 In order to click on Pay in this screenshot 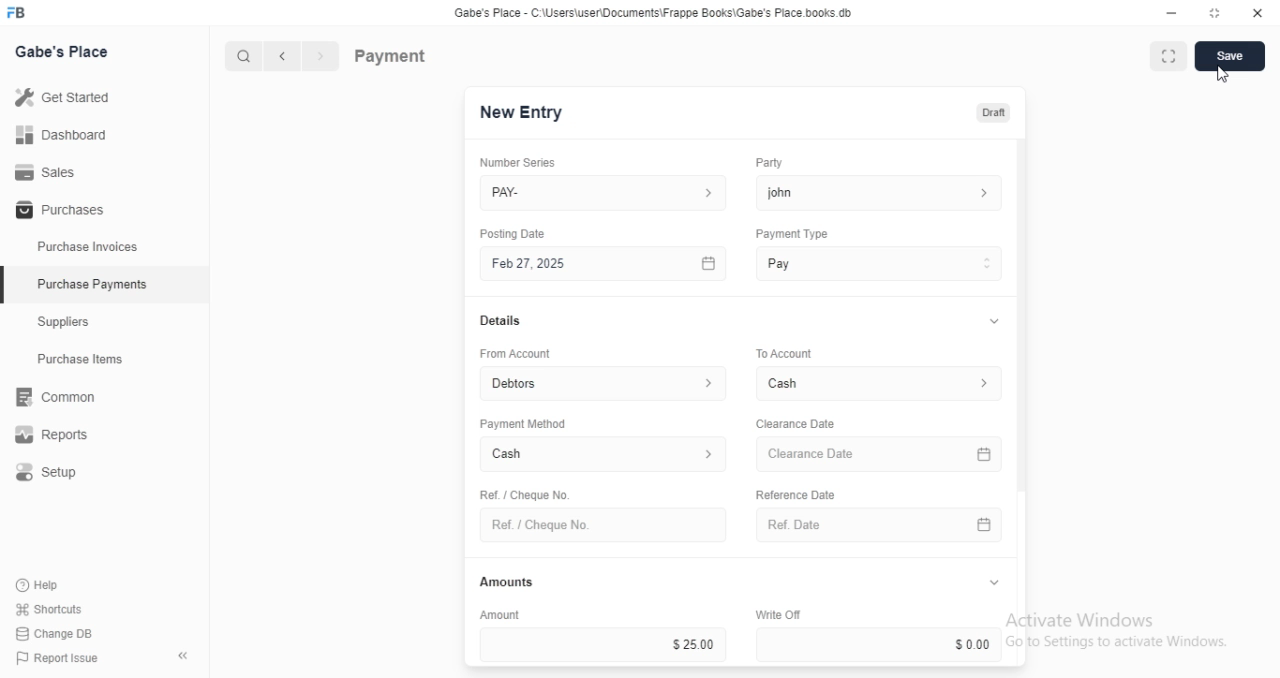, I will do `click(880, 263)`.